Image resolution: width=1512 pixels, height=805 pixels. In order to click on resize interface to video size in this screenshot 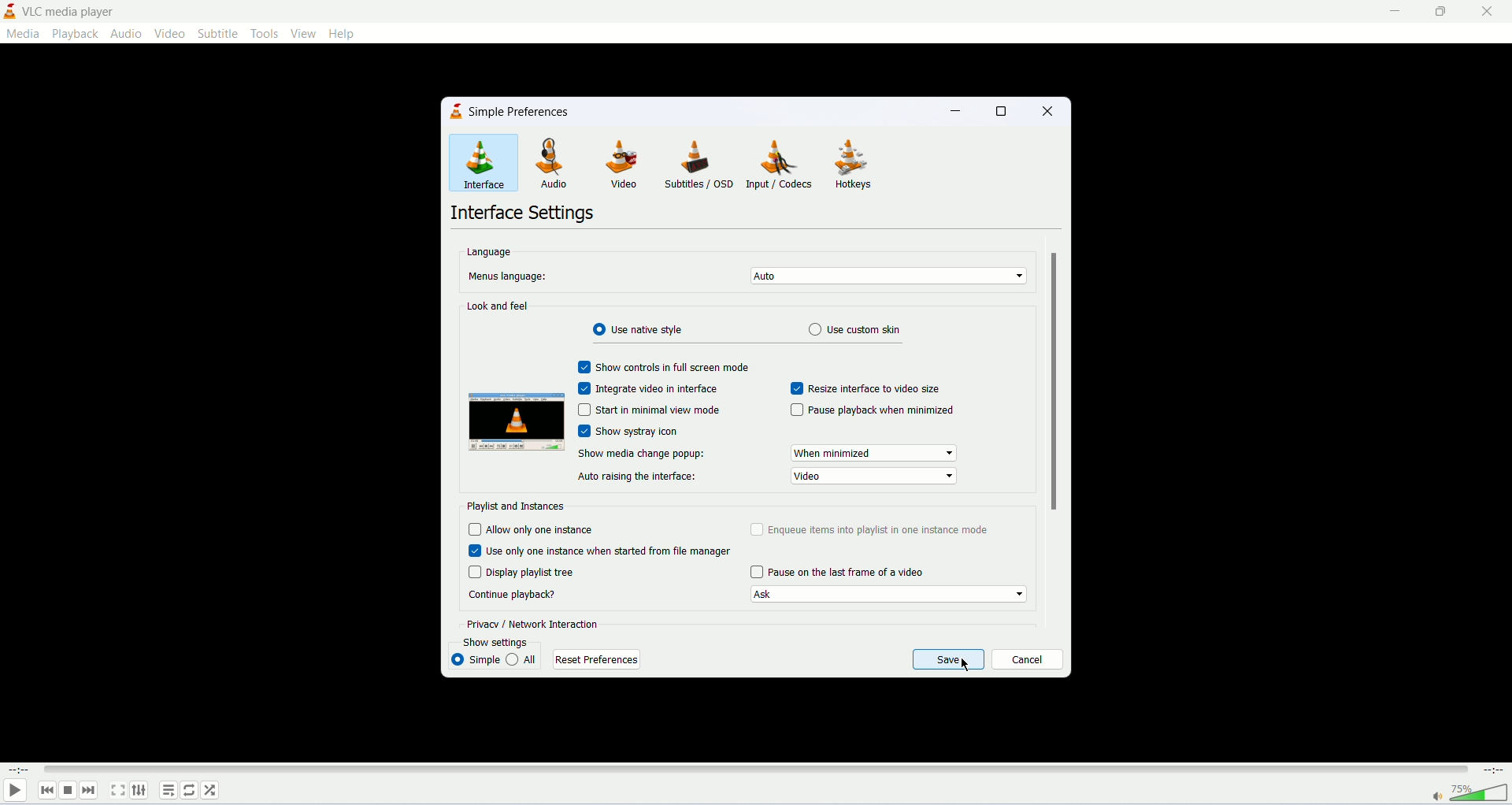, I will do `click(865, 388)`.